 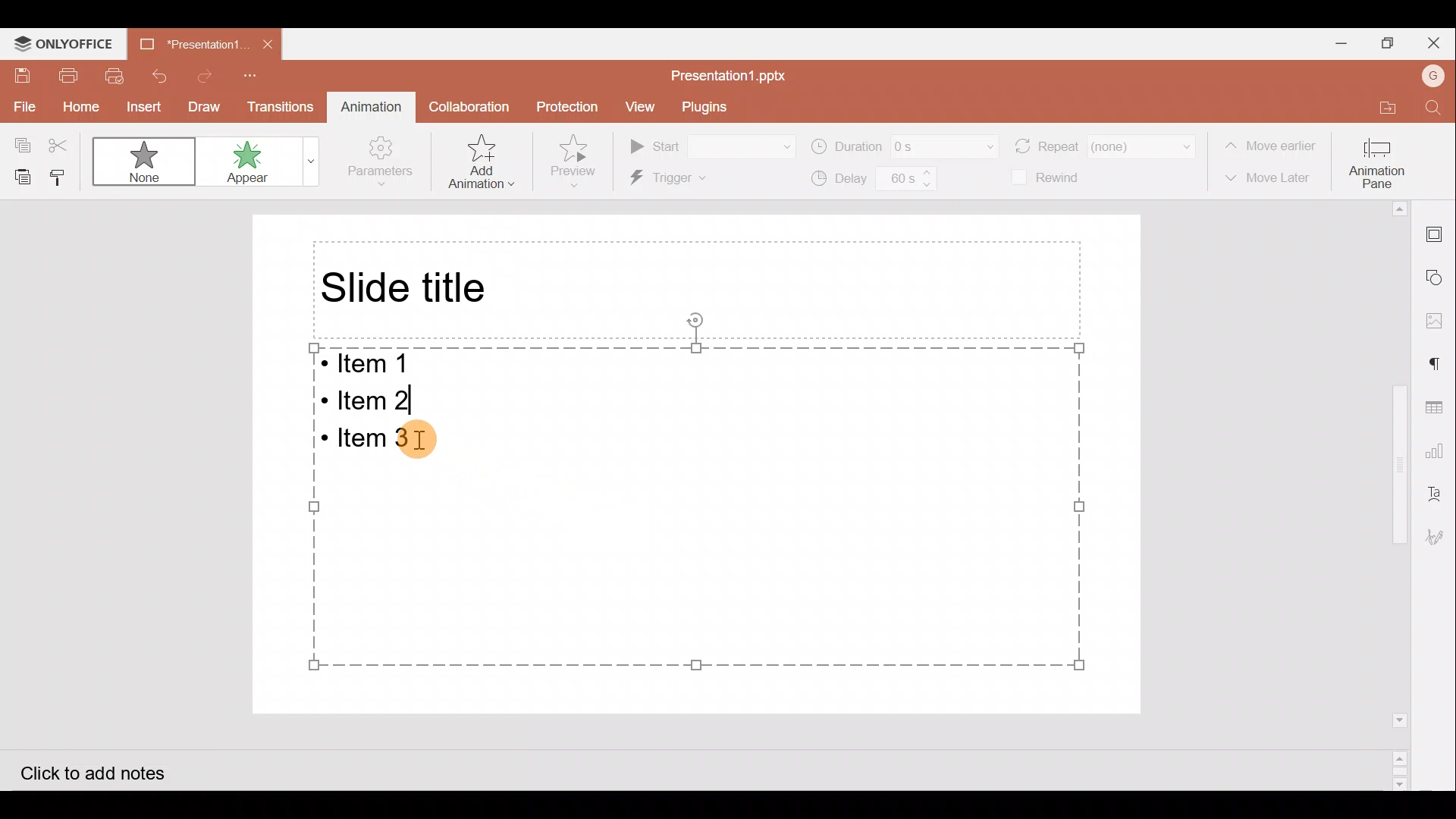 I want to click on Cursor on bulleted item 3, so click(x=425, y=450).